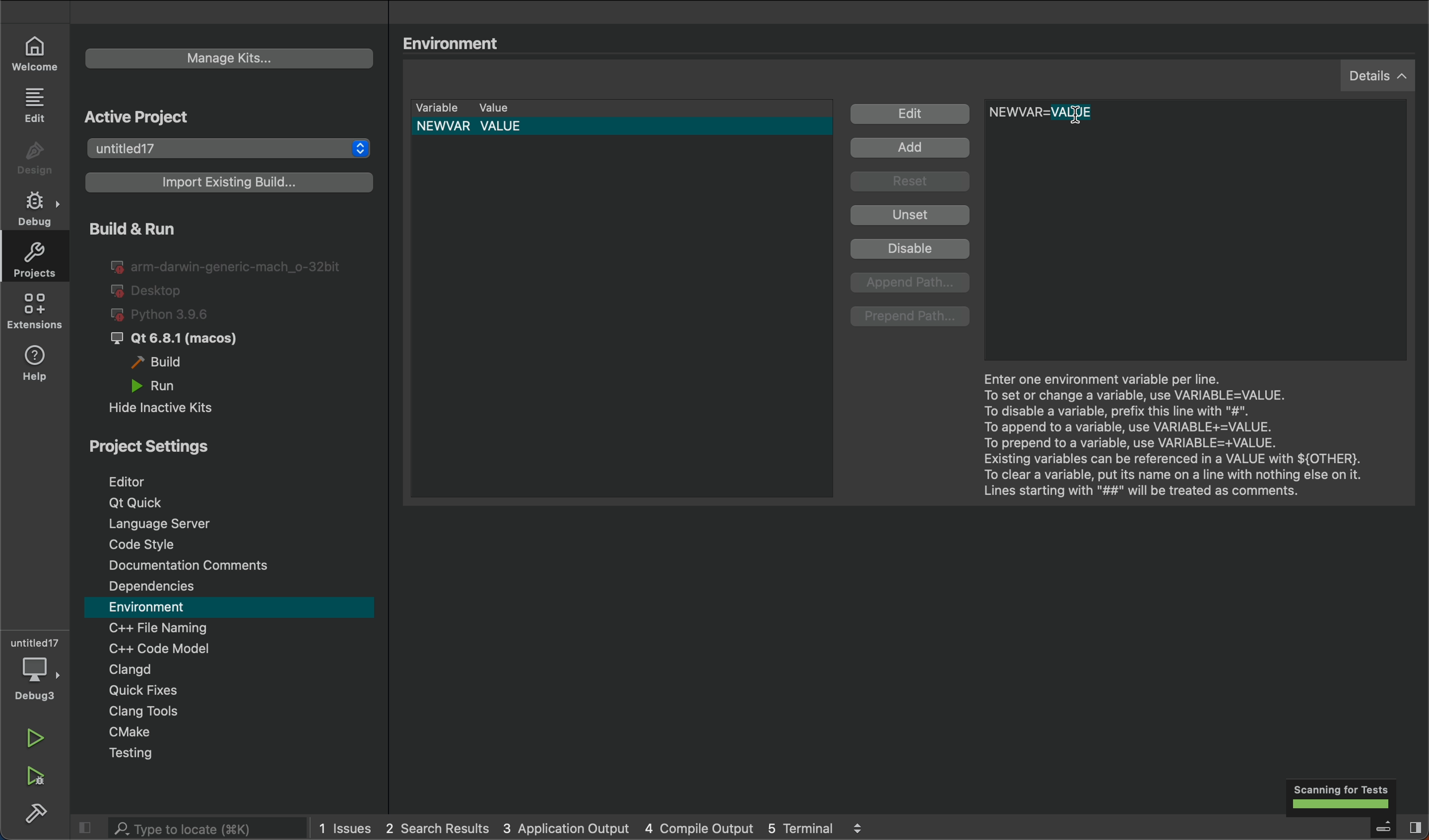 The image size is (1429, 840). Describe the element at coordinates (459, 41) in the screenshot. I see `Environment` at that location.